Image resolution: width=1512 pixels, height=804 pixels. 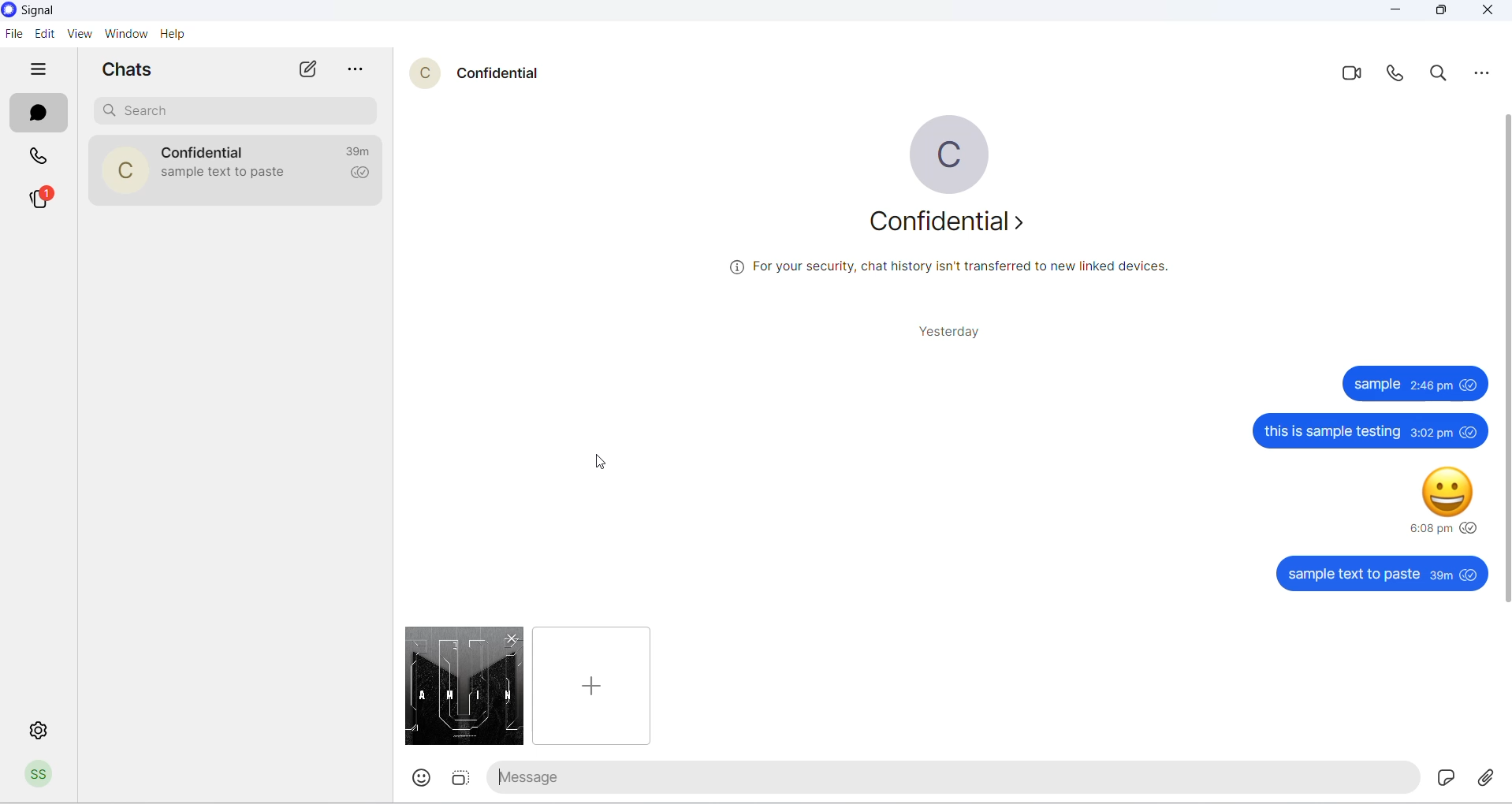 What do you see at coordinates (1432, 529) in the screenshot?
I see `6:06 pm` at bounding box center [1432, 529].